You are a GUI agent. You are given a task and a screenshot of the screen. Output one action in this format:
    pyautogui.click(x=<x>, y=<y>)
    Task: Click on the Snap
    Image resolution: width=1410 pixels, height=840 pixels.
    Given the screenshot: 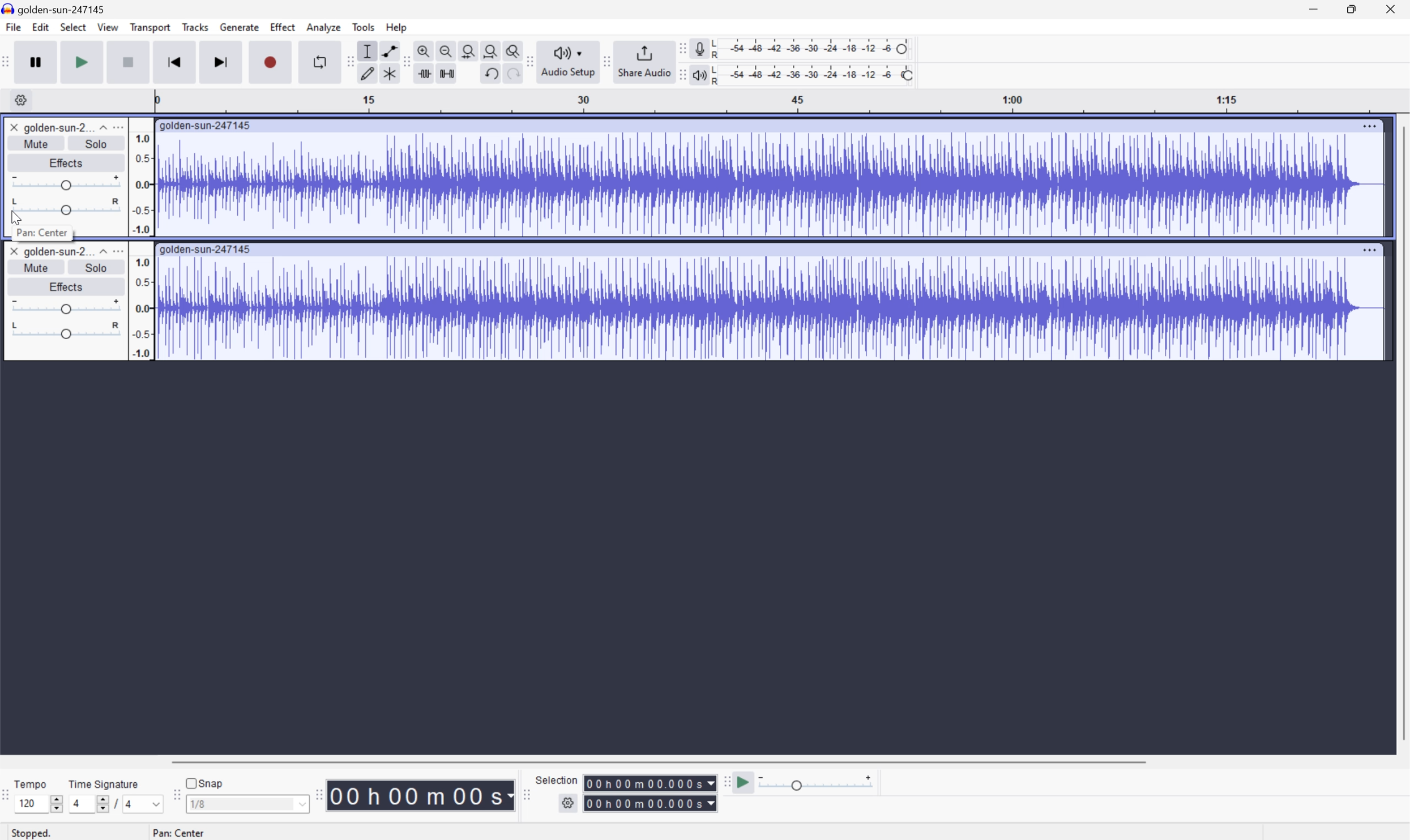 What is the action you would take?
    pyautogui.click(x=206, y=783)
    